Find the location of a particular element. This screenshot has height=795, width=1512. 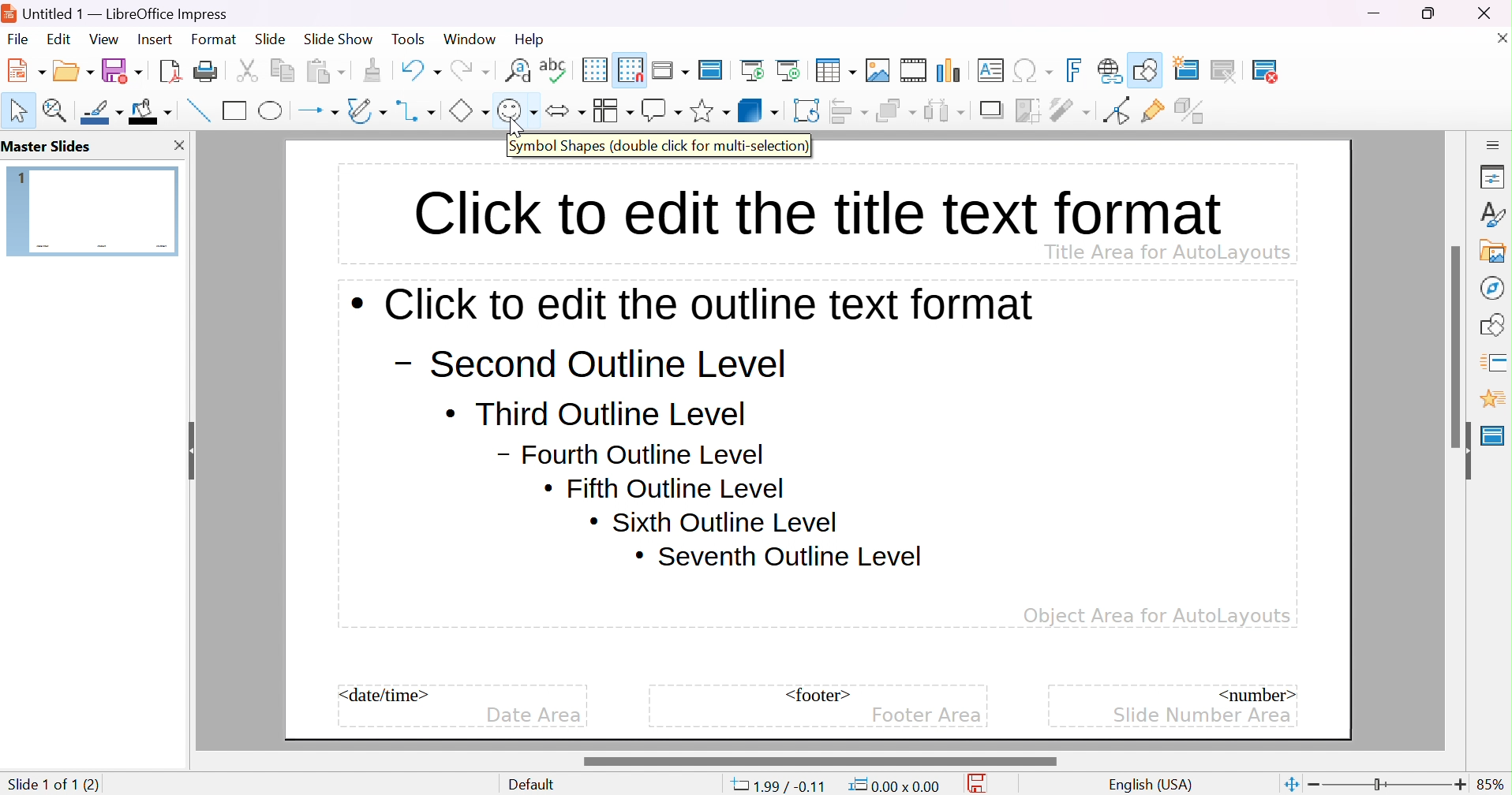

3D onjects is located at coordinates (758, 110).